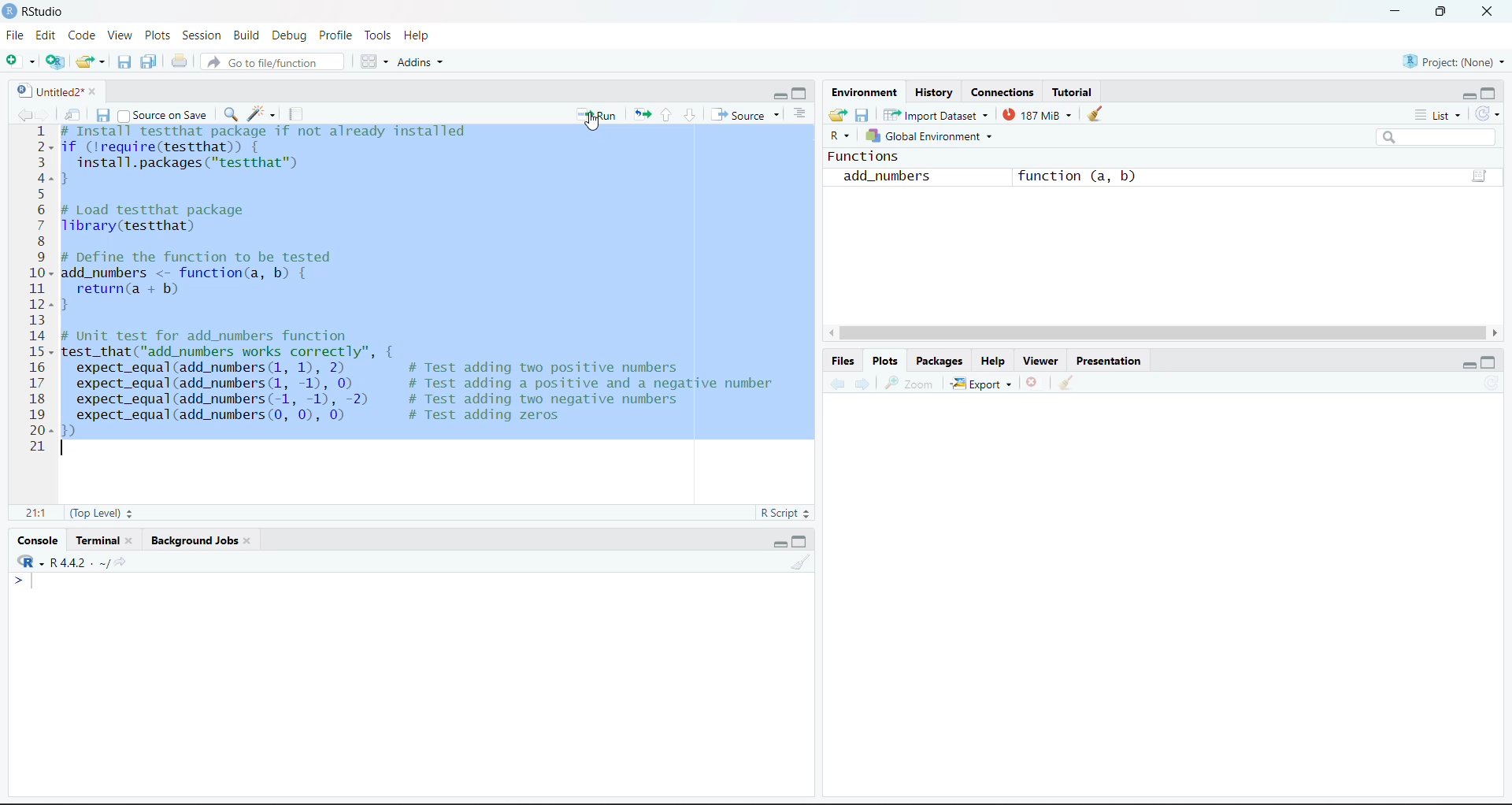 The image size is (1512, 805). What do you see at coordinates (39, 514) in the screenshot?
I see `21:1` at bounding box center [39, 514].